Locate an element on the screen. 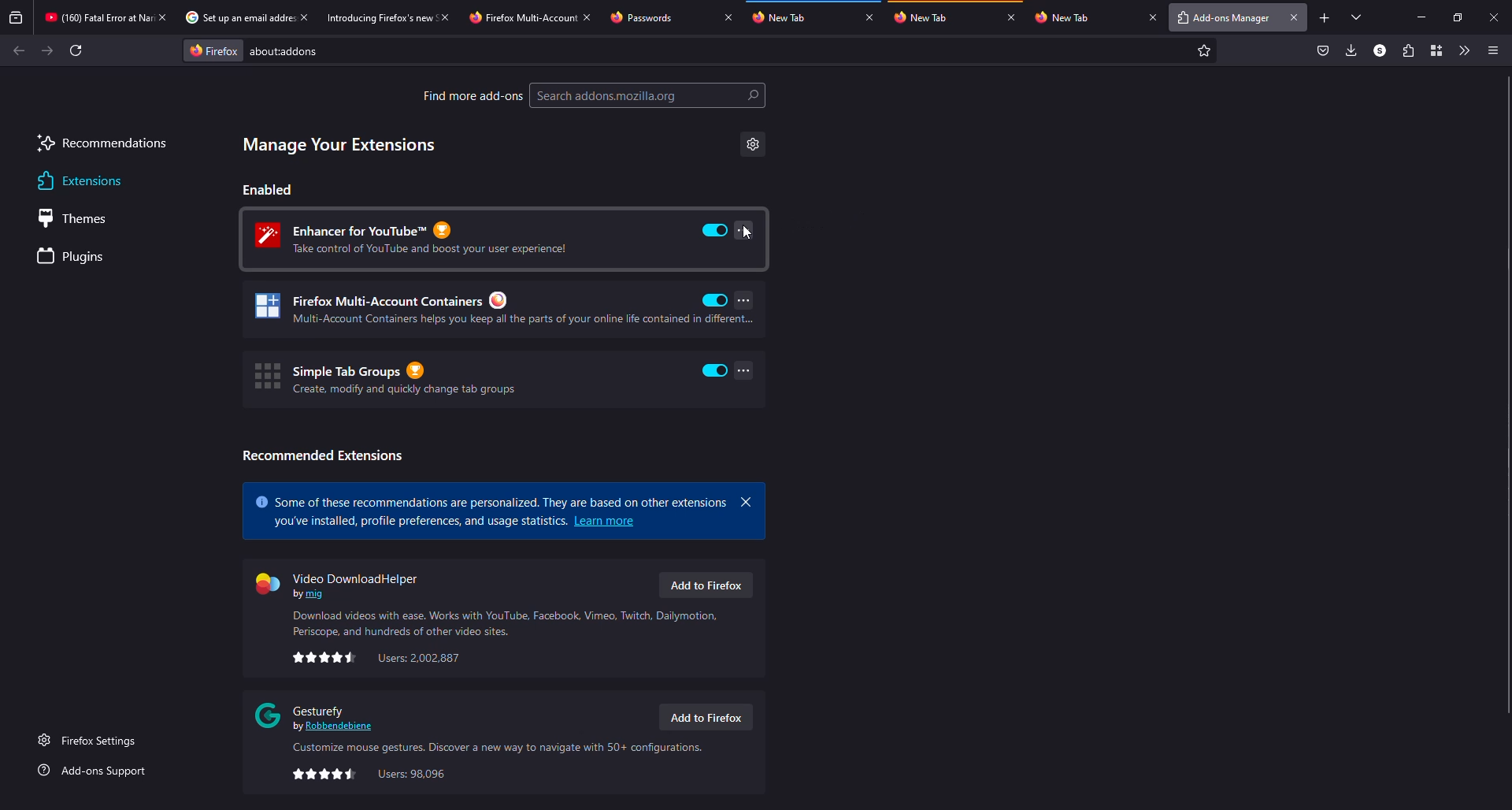 The height and width of the screenshot is (810, 1512). Users is located at coordinates (412, 775).